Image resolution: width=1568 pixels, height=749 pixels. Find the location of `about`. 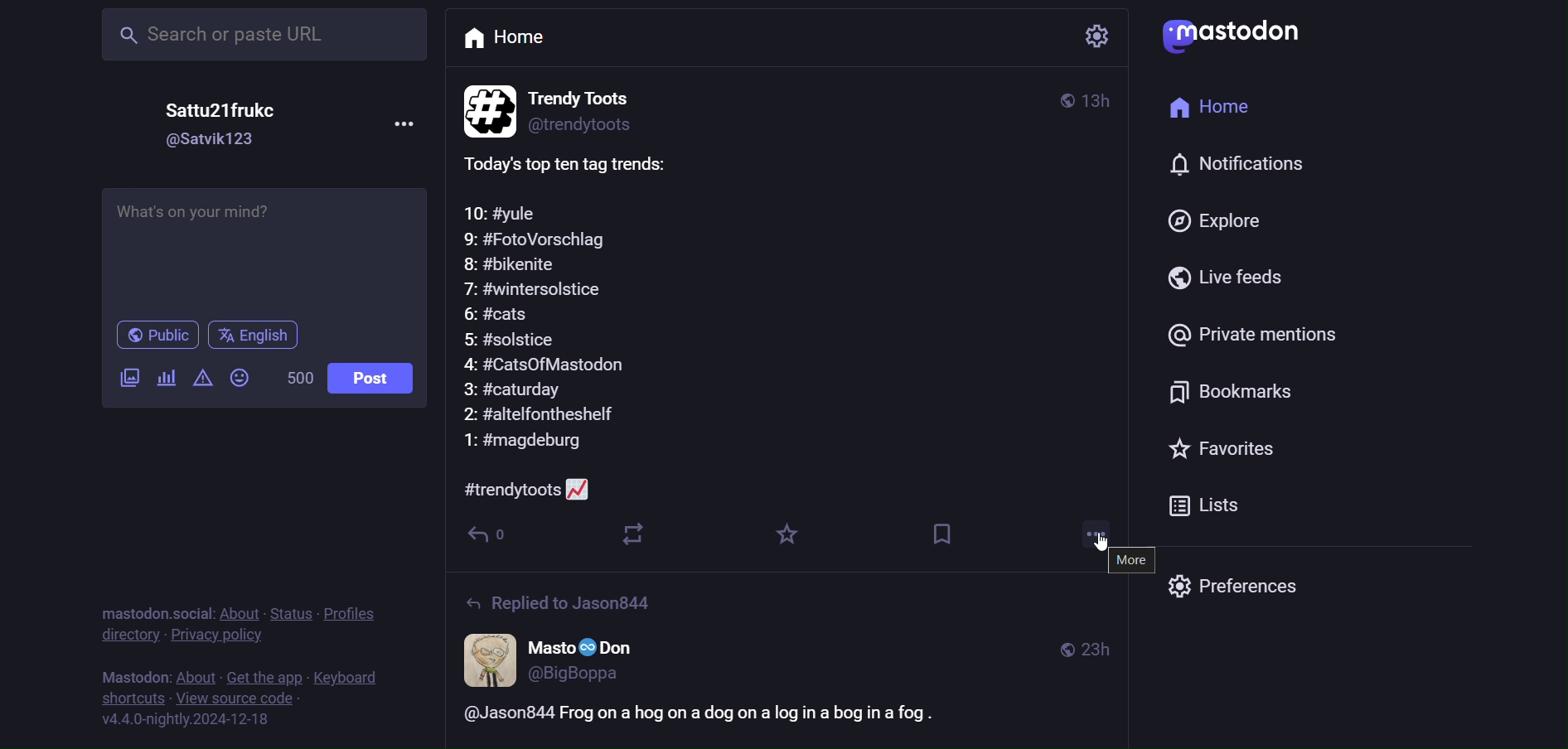

about is located at coordinates (192, 672).